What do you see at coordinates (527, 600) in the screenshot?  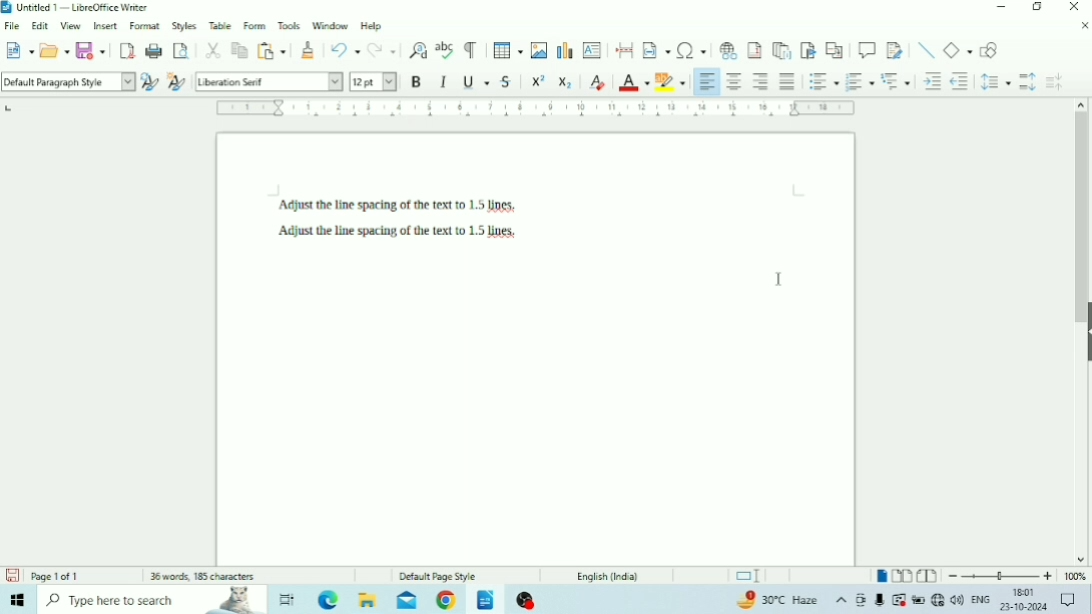 I see `OBS Studio` at bounding box center [527, 600].